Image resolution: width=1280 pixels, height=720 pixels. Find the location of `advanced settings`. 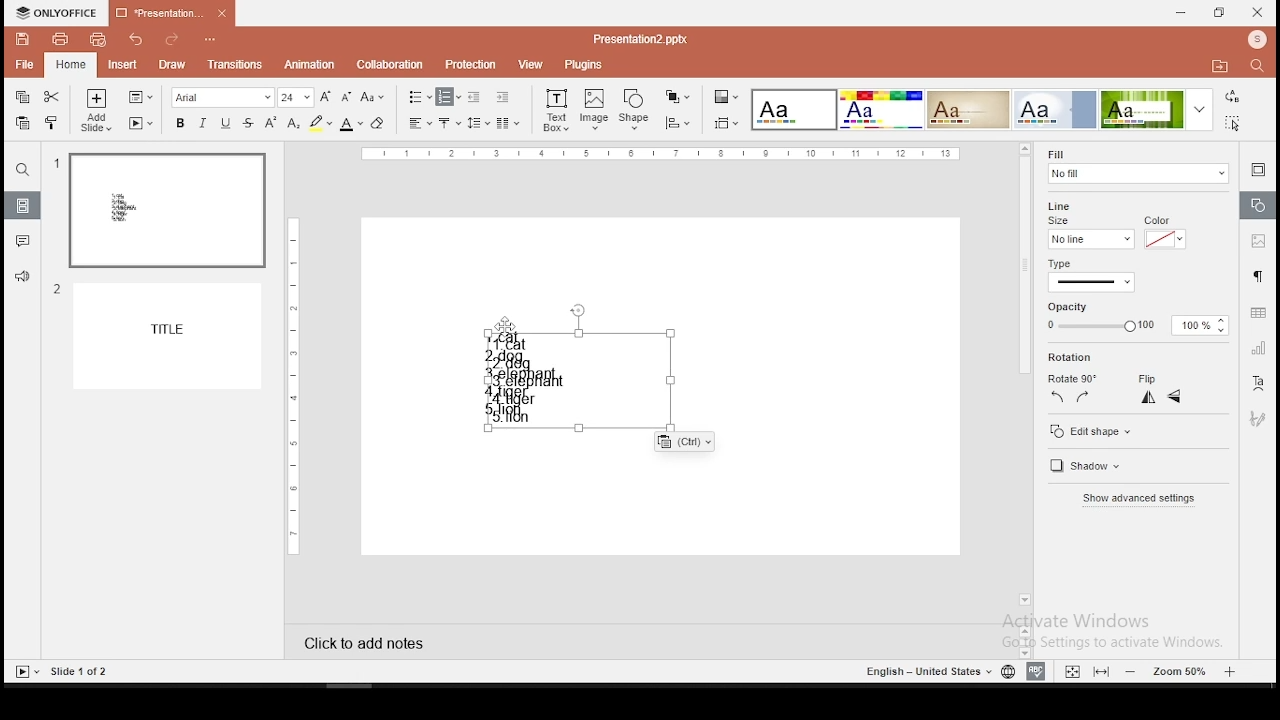

advanced settings is located at coordinates (1144, 499).